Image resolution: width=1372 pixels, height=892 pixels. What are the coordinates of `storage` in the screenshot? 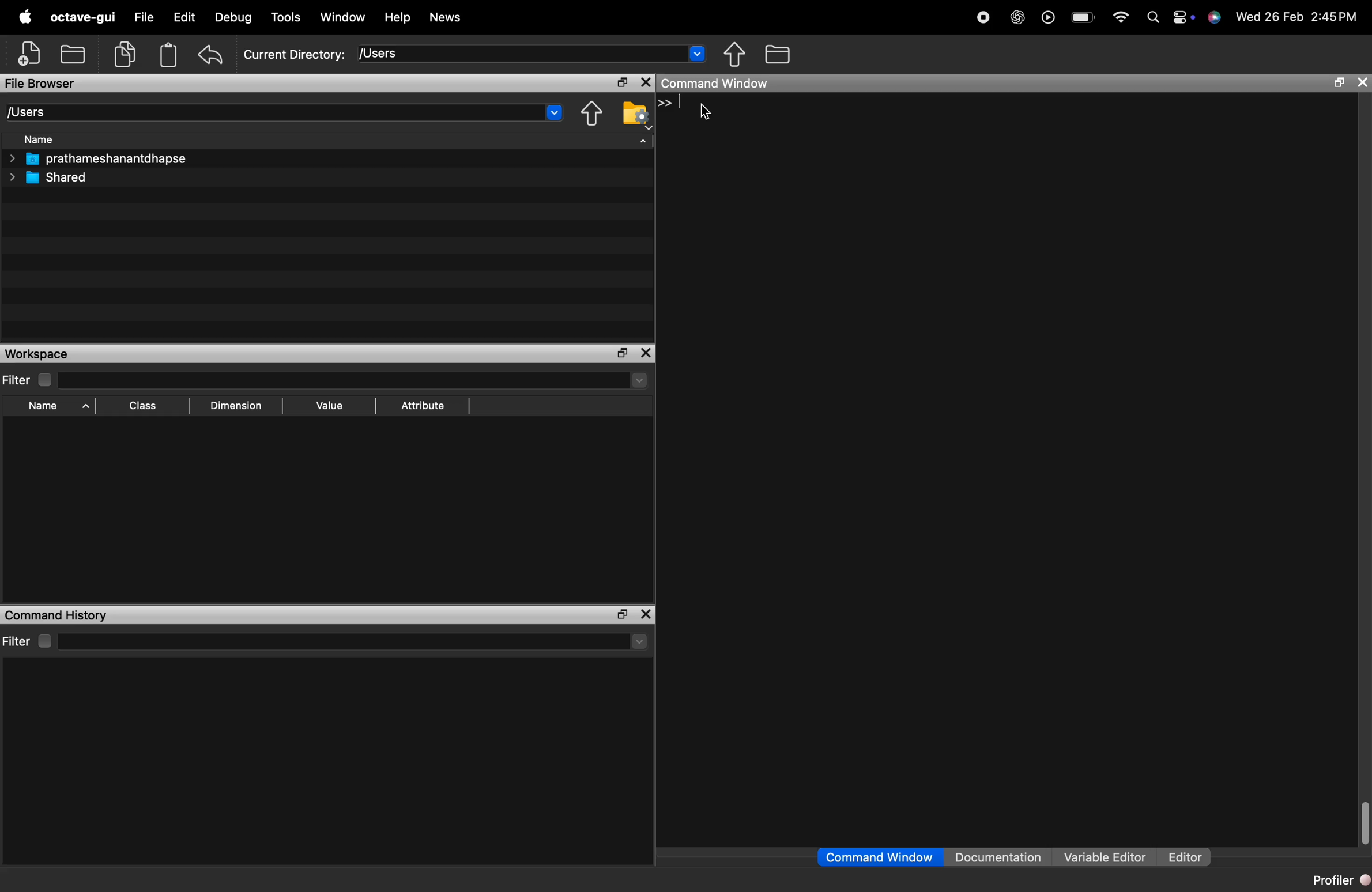 It's located at (170, 56).